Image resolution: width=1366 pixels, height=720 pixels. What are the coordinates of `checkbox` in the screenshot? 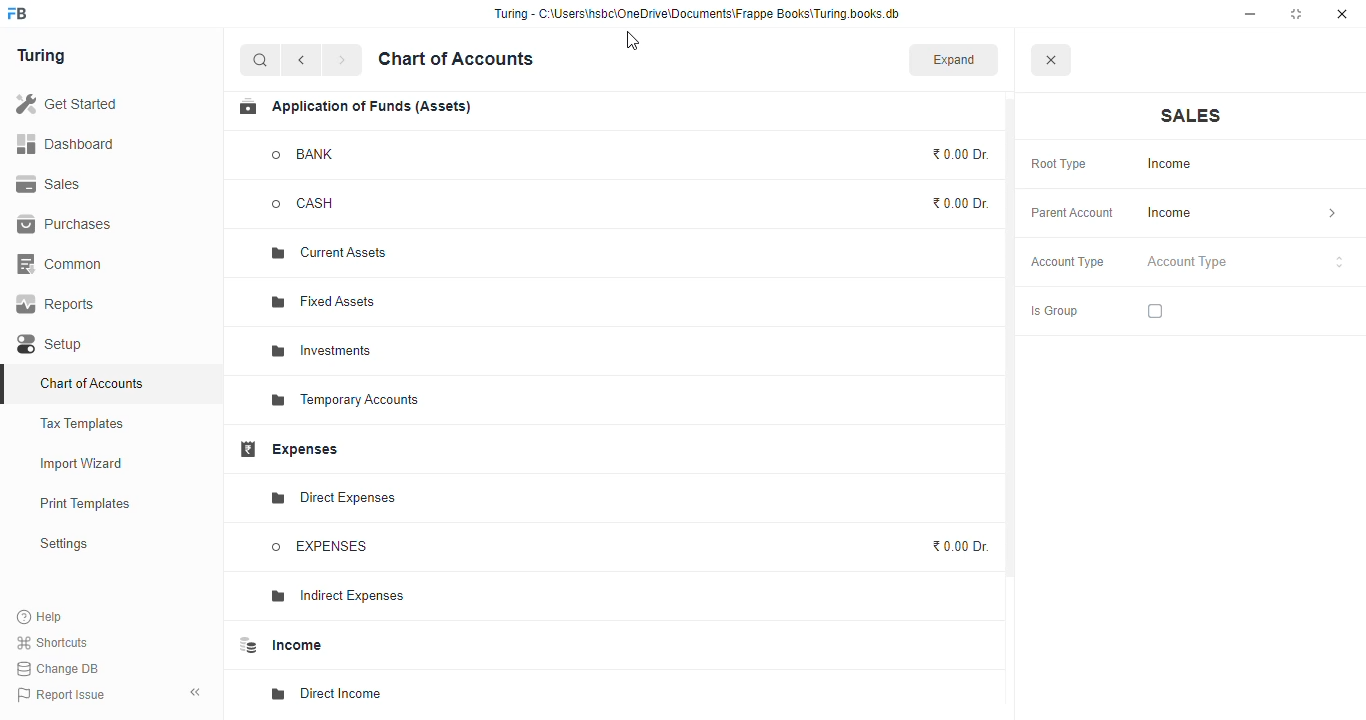 It's located at (1155, 311).